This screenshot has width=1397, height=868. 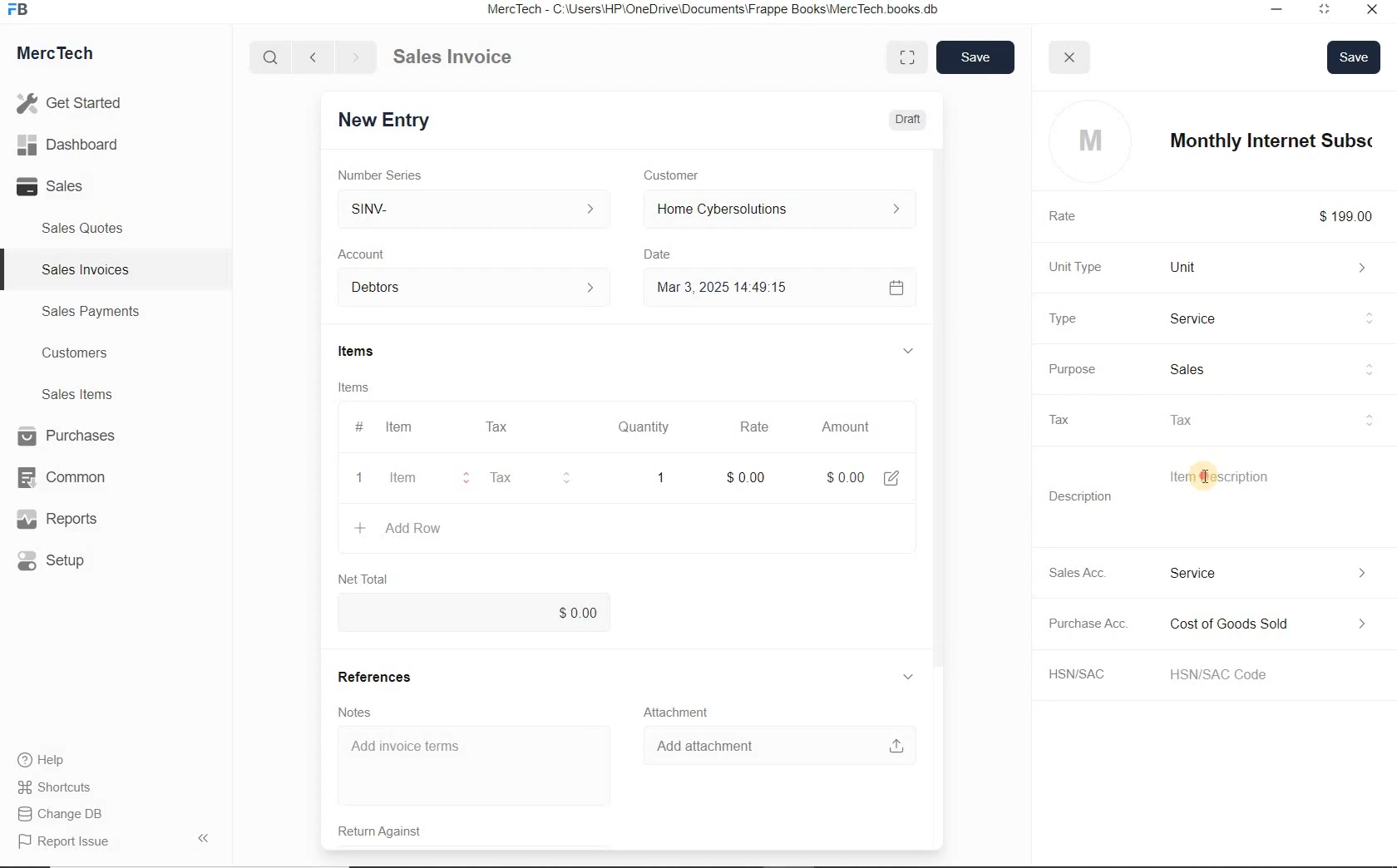 I want to click on Description, so click(x=1073, y=496).